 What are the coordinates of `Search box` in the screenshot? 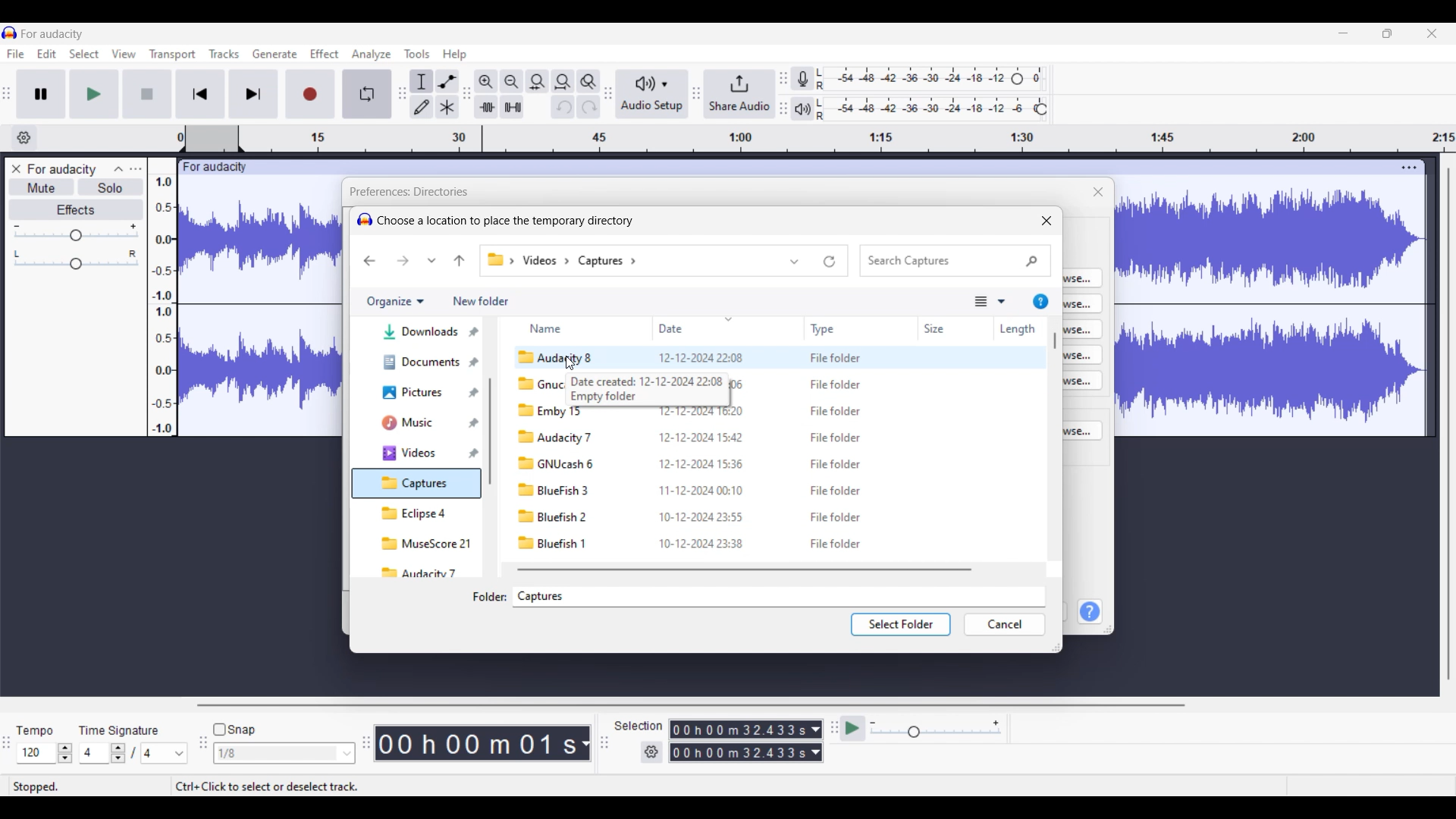 It's located at (955, 261).